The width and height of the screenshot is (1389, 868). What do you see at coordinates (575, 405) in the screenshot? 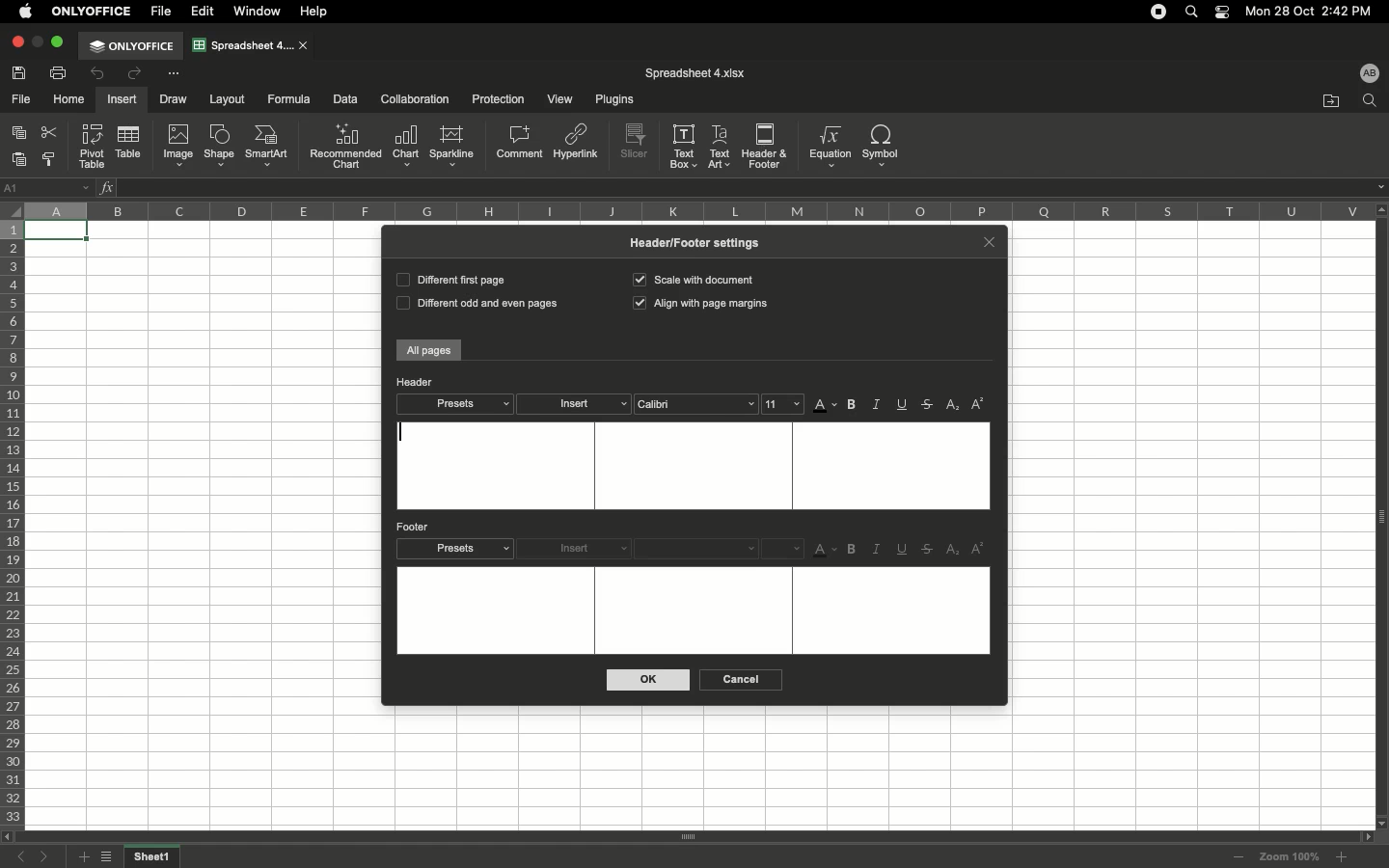
I see `Insert` at bounding box center [575, 405].